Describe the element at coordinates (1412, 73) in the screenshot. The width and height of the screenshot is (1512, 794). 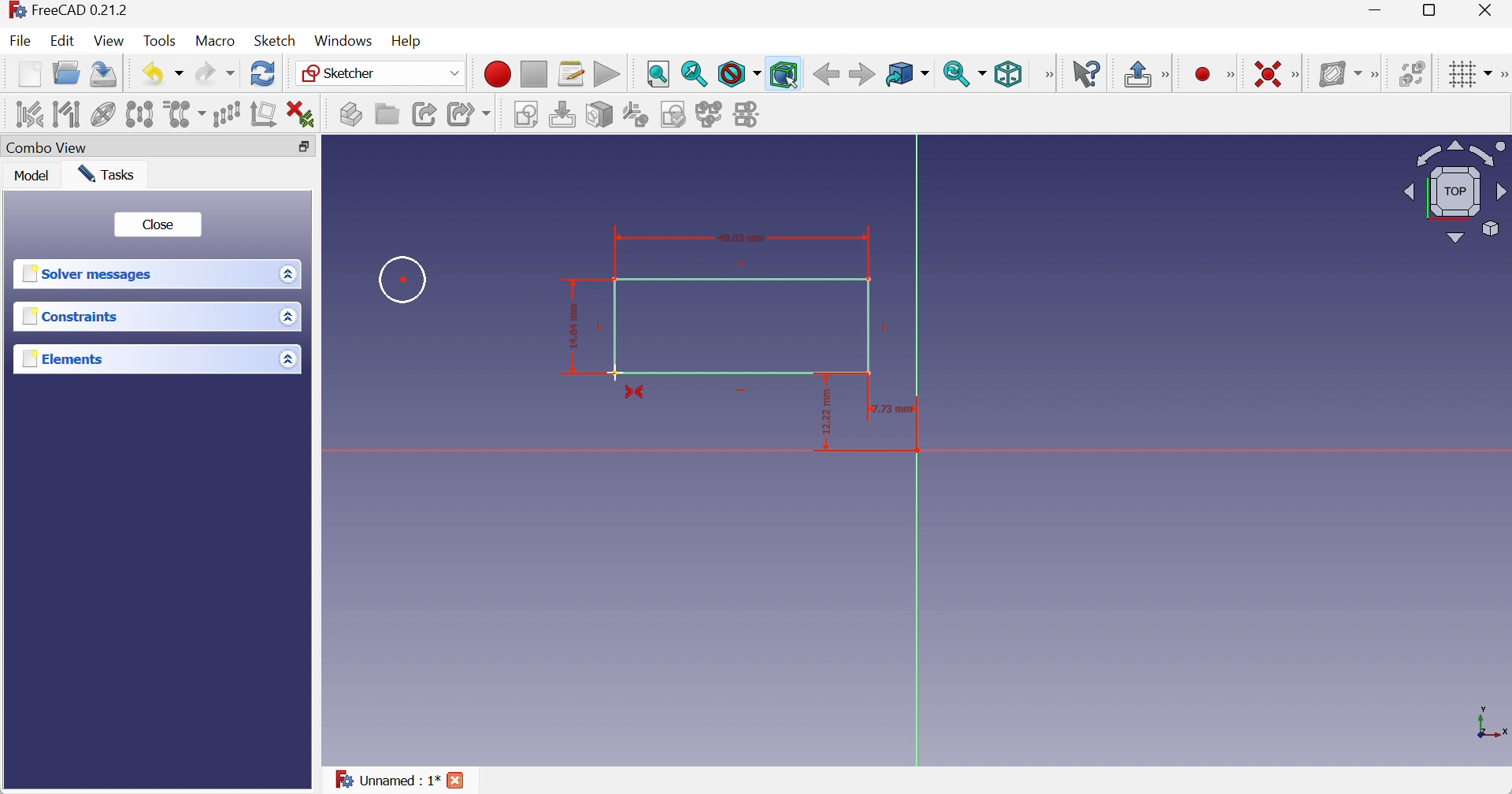
I see `Switch virtual space` at that location.